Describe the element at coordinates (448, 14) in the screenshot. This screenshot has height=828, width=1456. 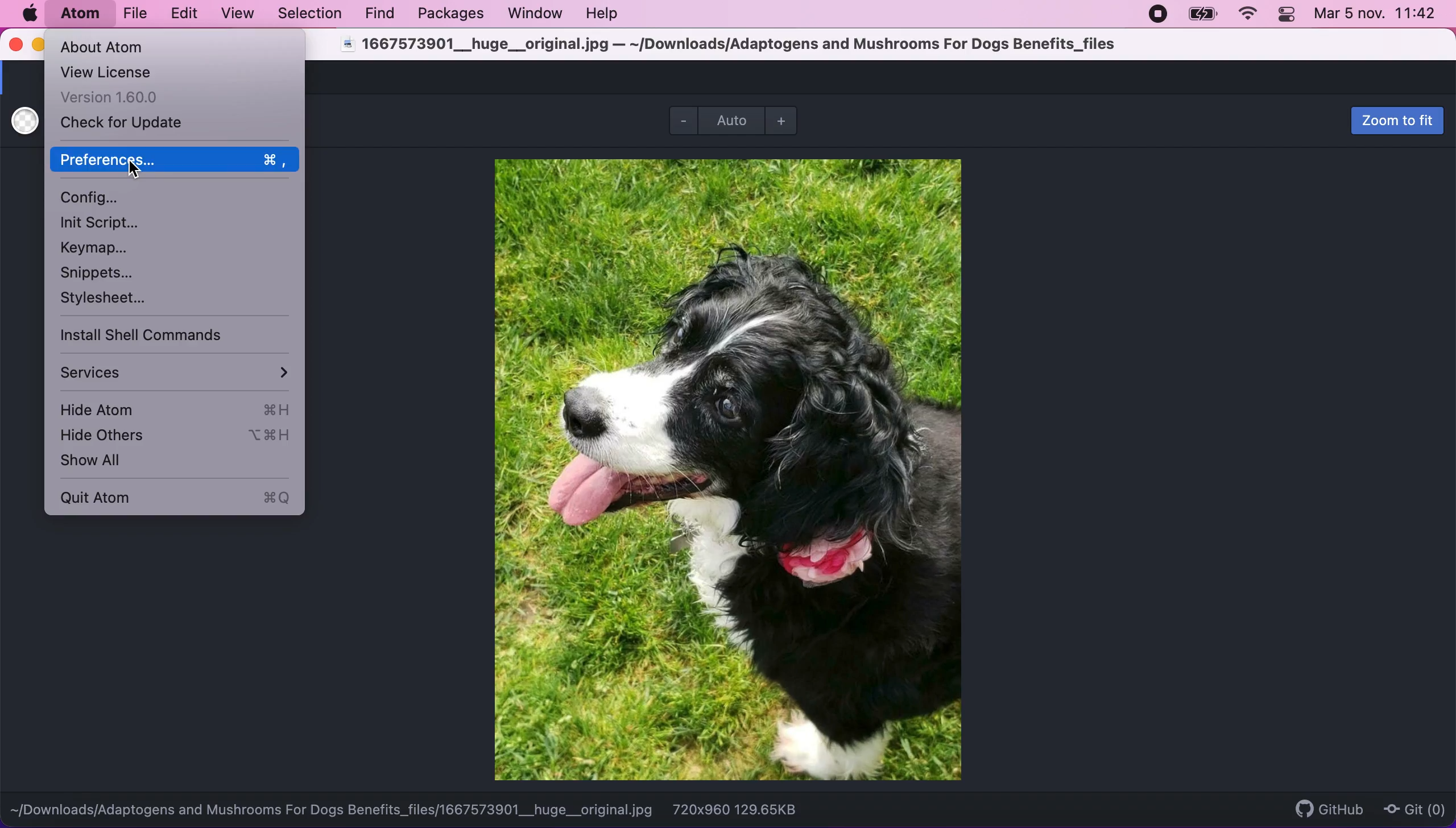
I see `packages` at that location.